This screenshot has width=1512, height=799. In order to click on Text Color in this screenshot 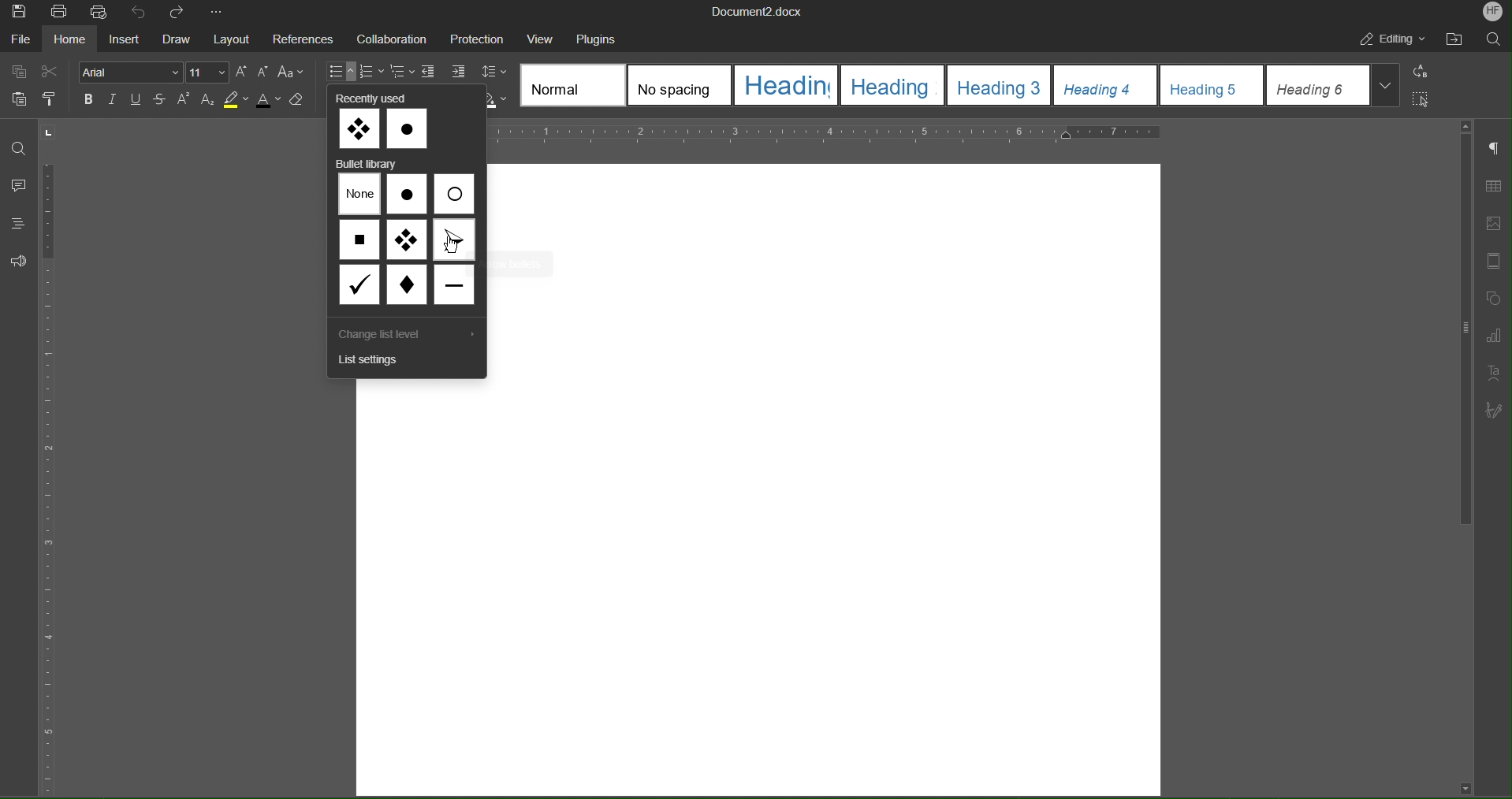, I will do `click(269, 99)`.